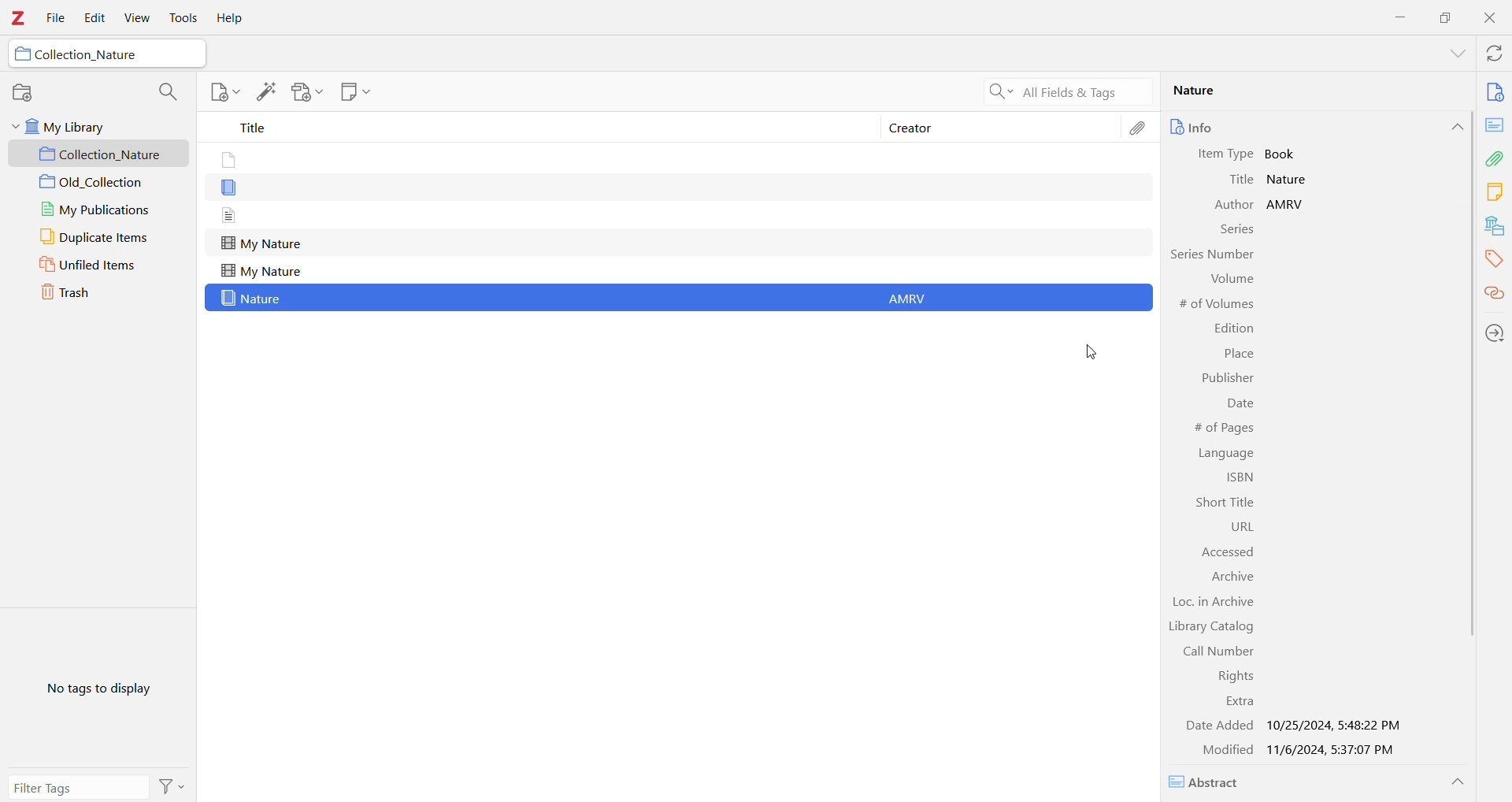 The height and width of the screenshot is (802, 1512). I want to click on Series Number, so click(1210, 254).